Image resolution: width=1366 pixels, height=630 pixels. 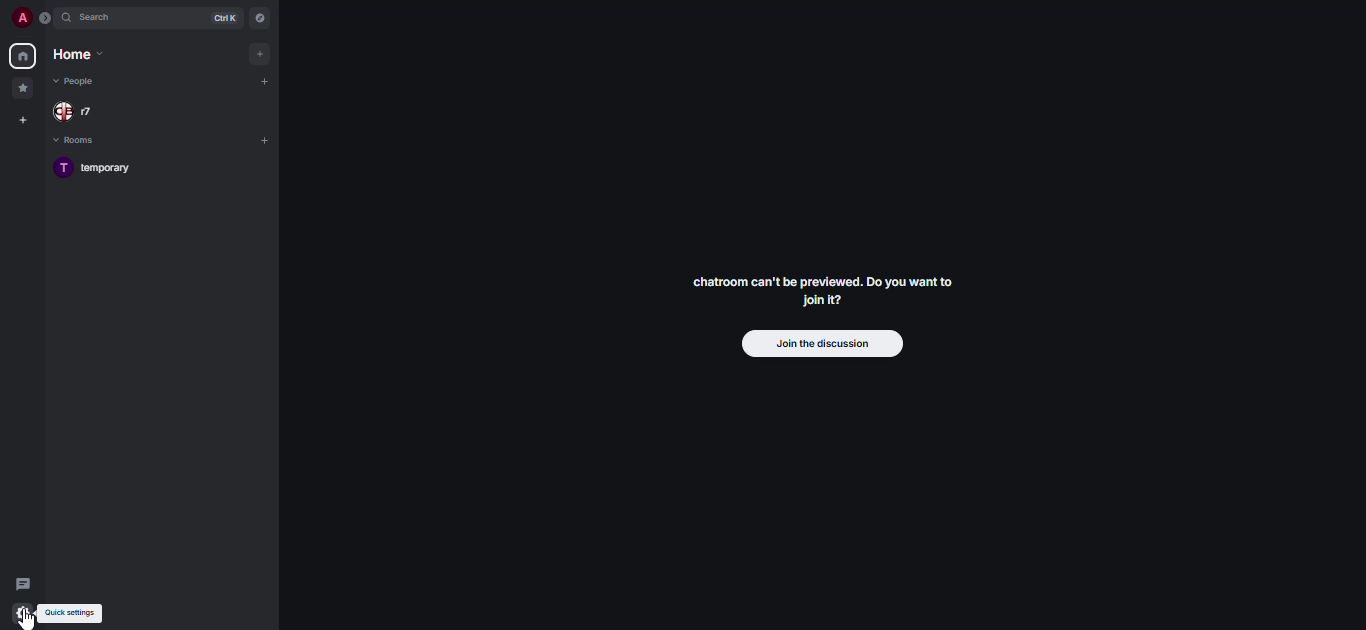 What do you see at coordinates (820, 285) in the screenshot?
I see `chatroom can't be previewed. Join it?` at bounding box center [820, 285].